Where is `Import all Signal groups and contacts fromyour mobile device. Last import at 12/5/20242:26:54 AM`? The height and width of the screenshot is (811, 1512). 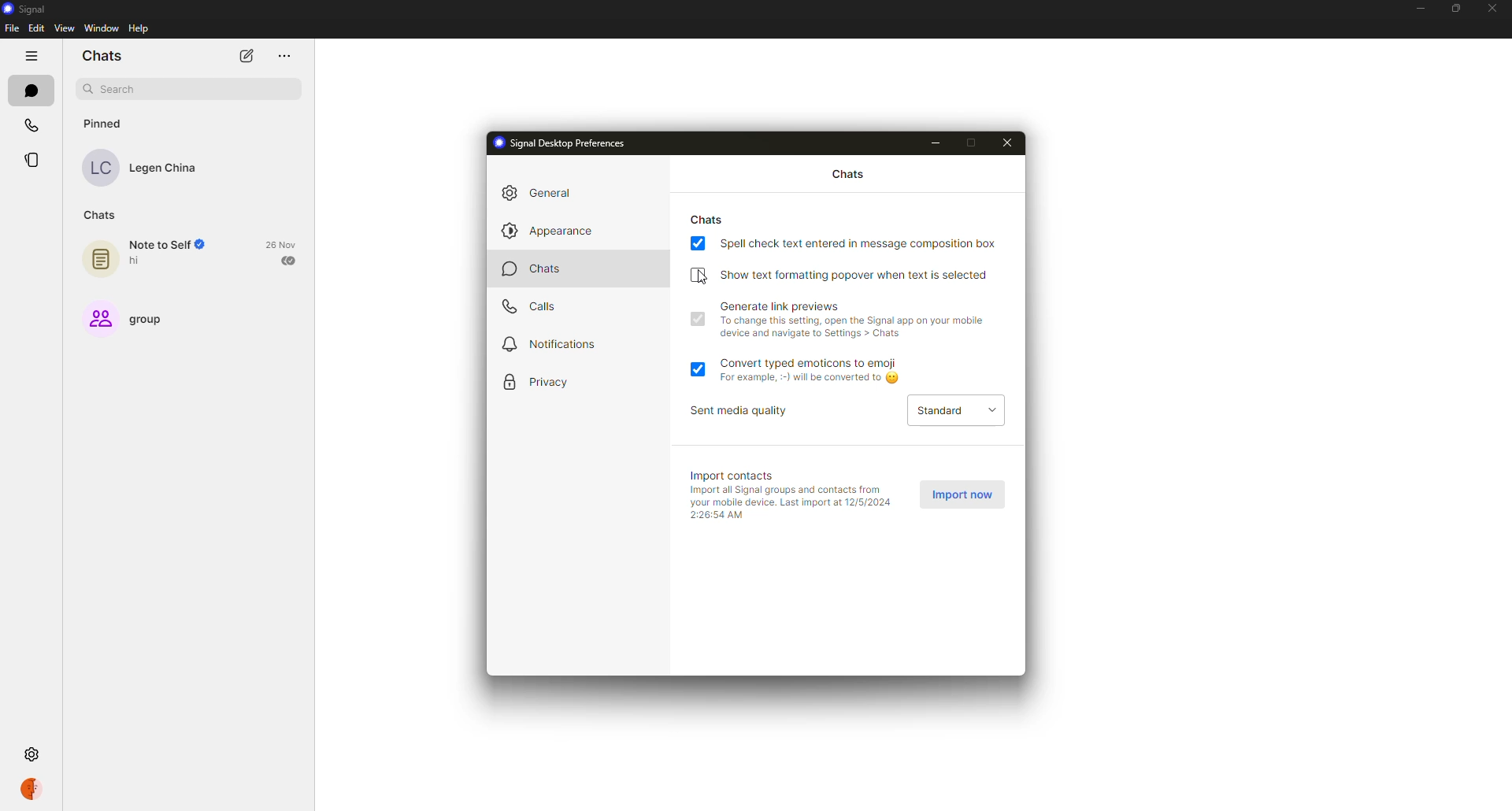 Import all Signal groups and contacts fromyour mobile device. Last import at 12/5/20242:26:54 AM is located at coordinates (790, 502).